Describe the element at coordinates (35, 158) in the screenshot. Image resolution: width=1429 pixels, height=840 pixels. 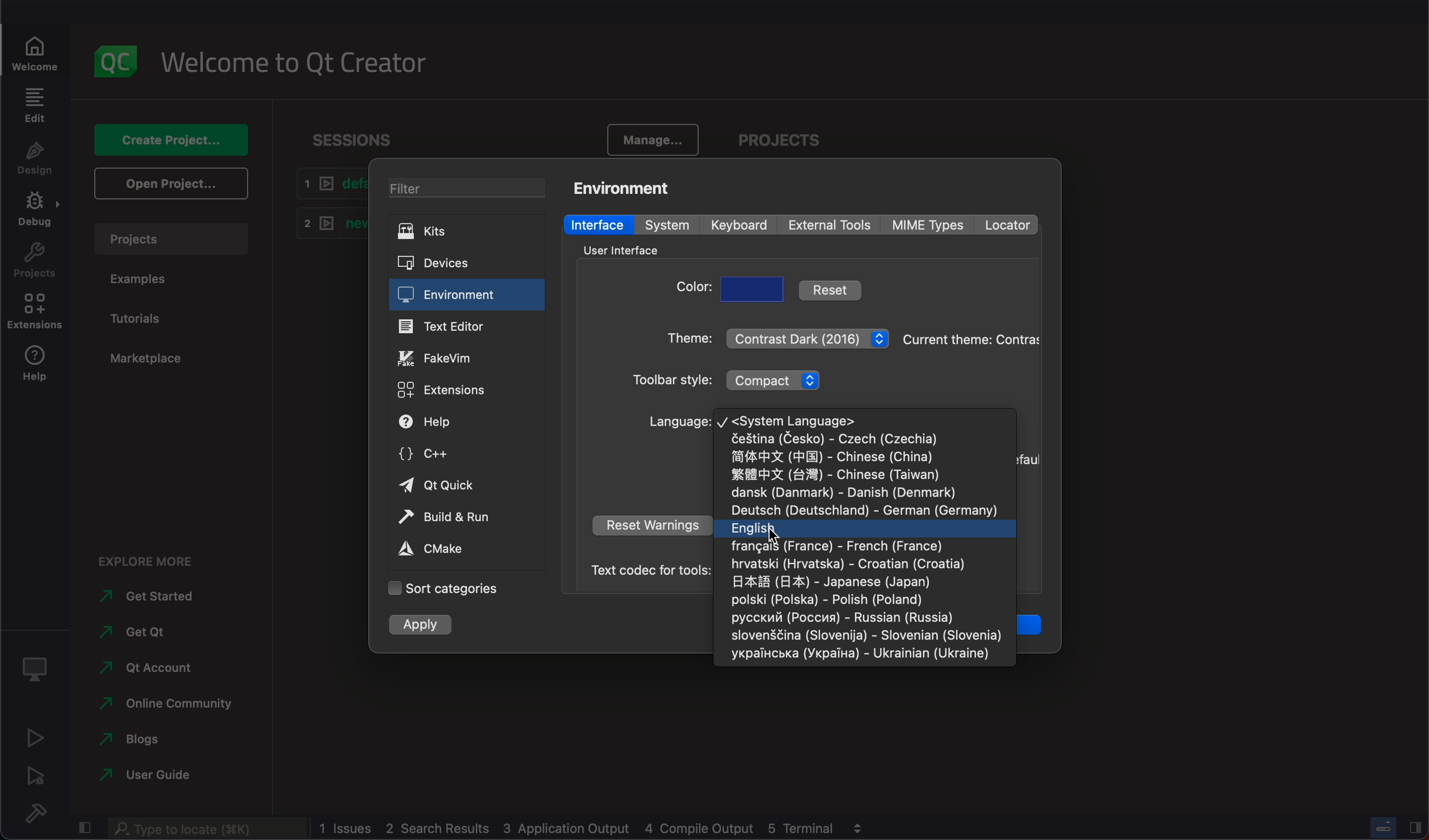
I see `design` at that location.